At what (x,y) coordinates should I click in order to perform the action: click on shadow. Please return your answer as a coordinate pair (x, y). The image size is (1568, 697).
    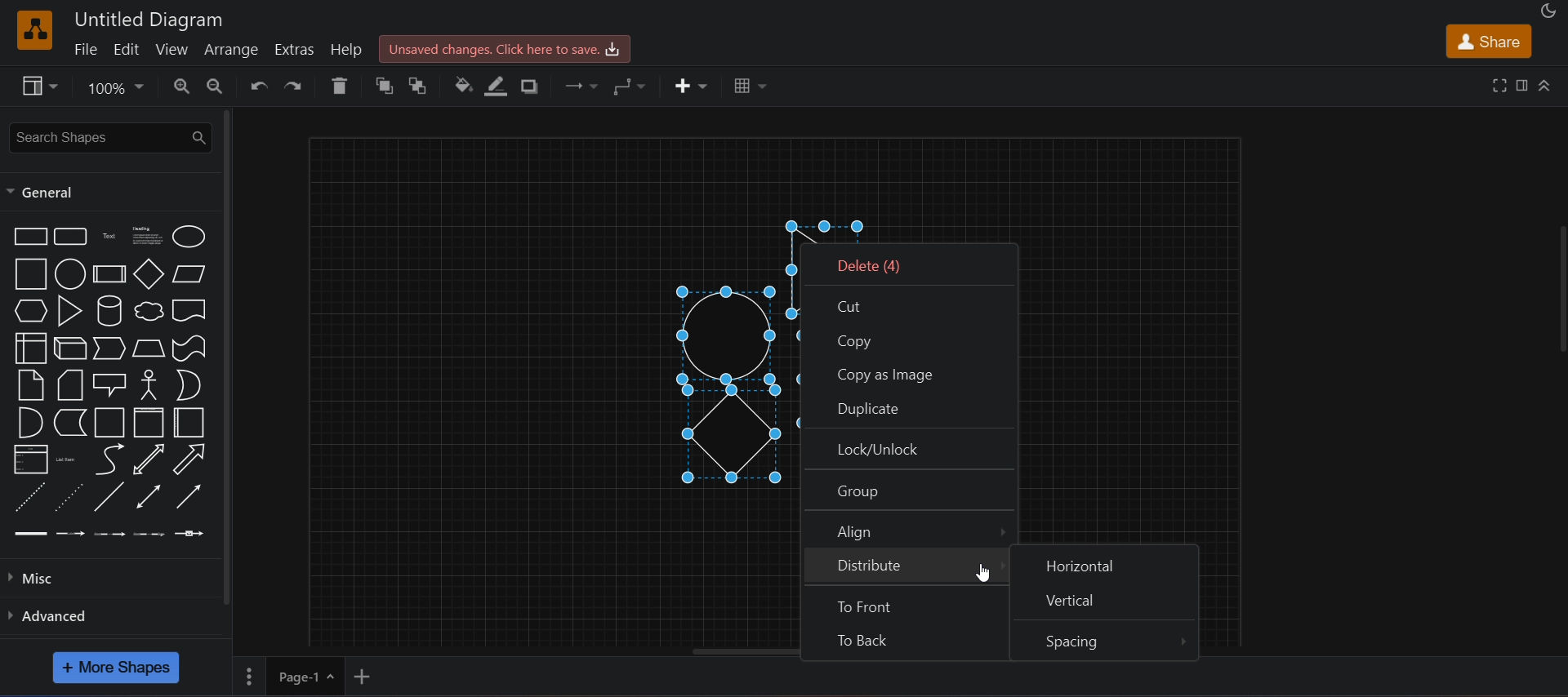
    Looking at the image, I should click on (534, 87).